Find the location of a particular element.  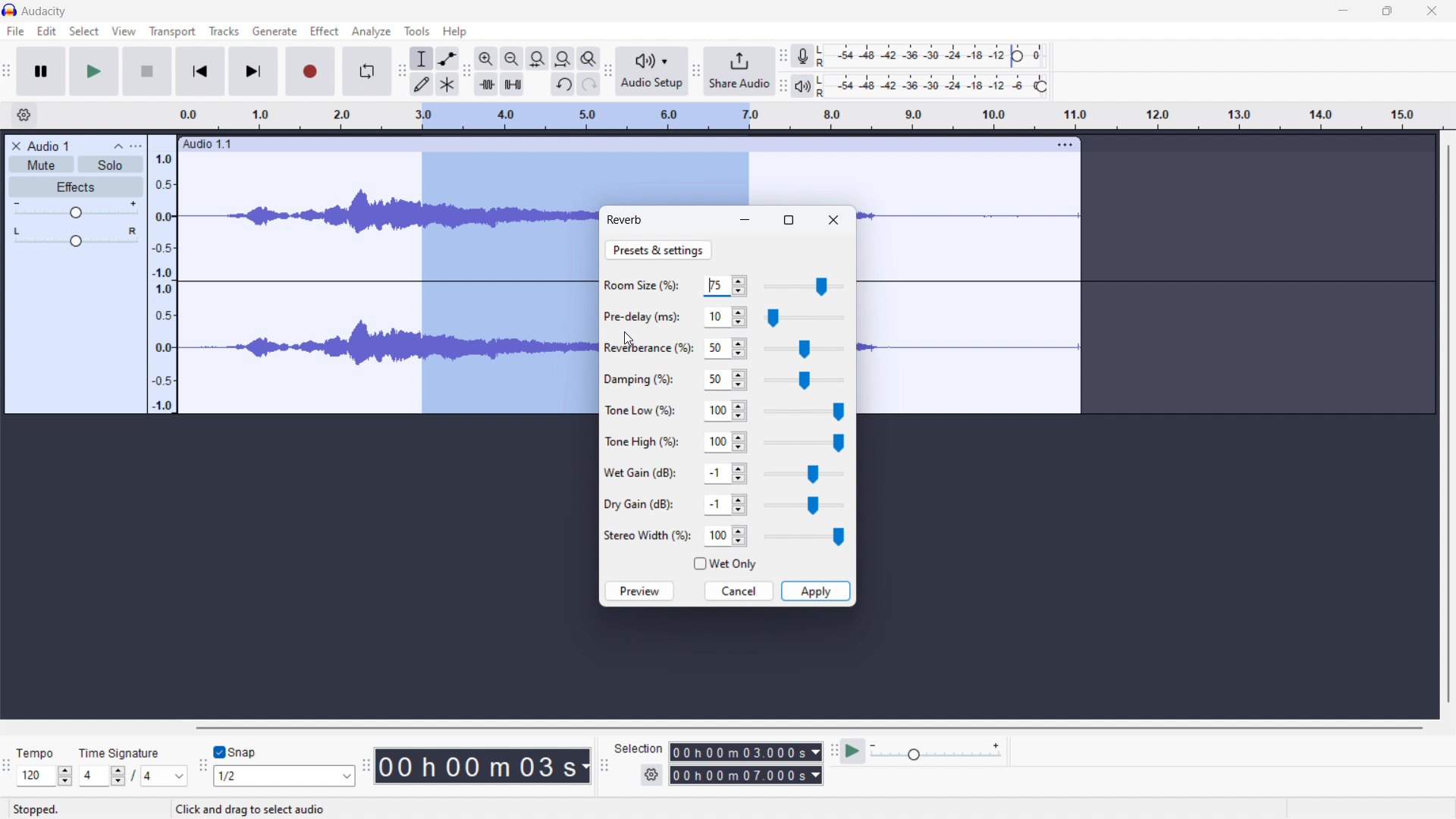

zoom toggle is located at coordinates (589, 58).